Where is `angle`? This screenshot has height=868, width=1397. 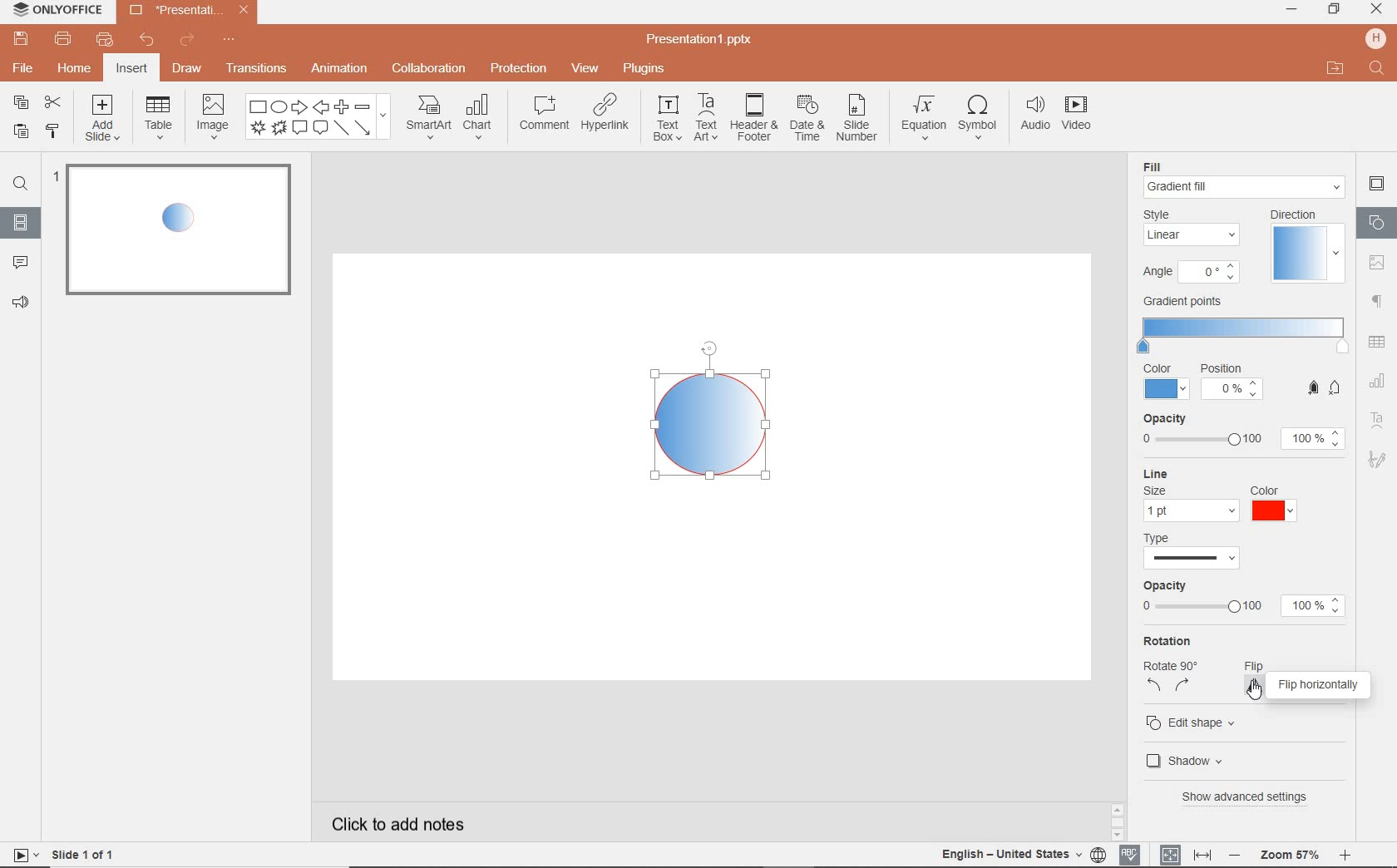 angle is located at coordinates (1189, 274).